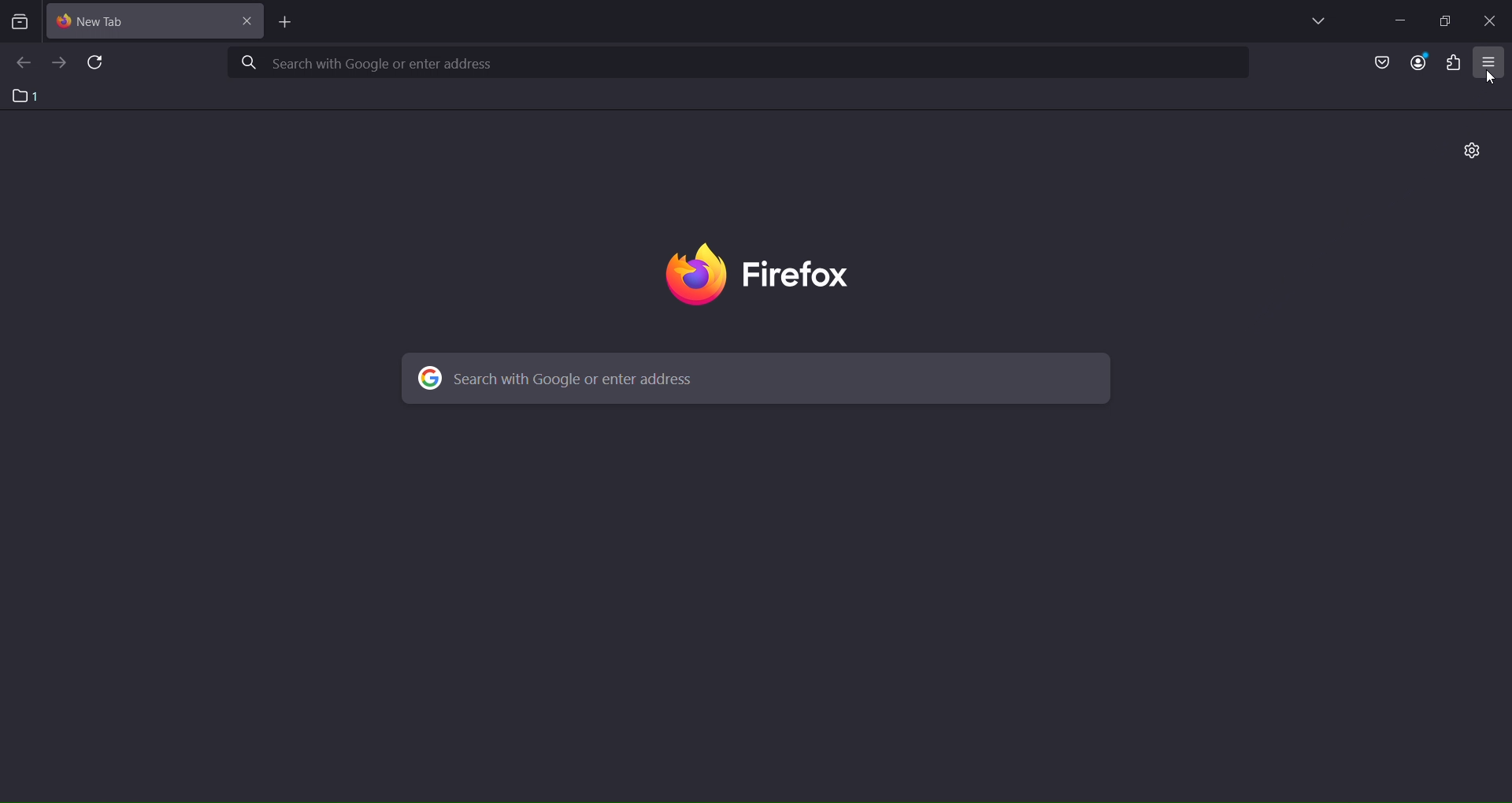 The image size is (1512, 803). Describe the element at coordinates (1378, 62) in the screenshot. I see `save to pocket` at that location.